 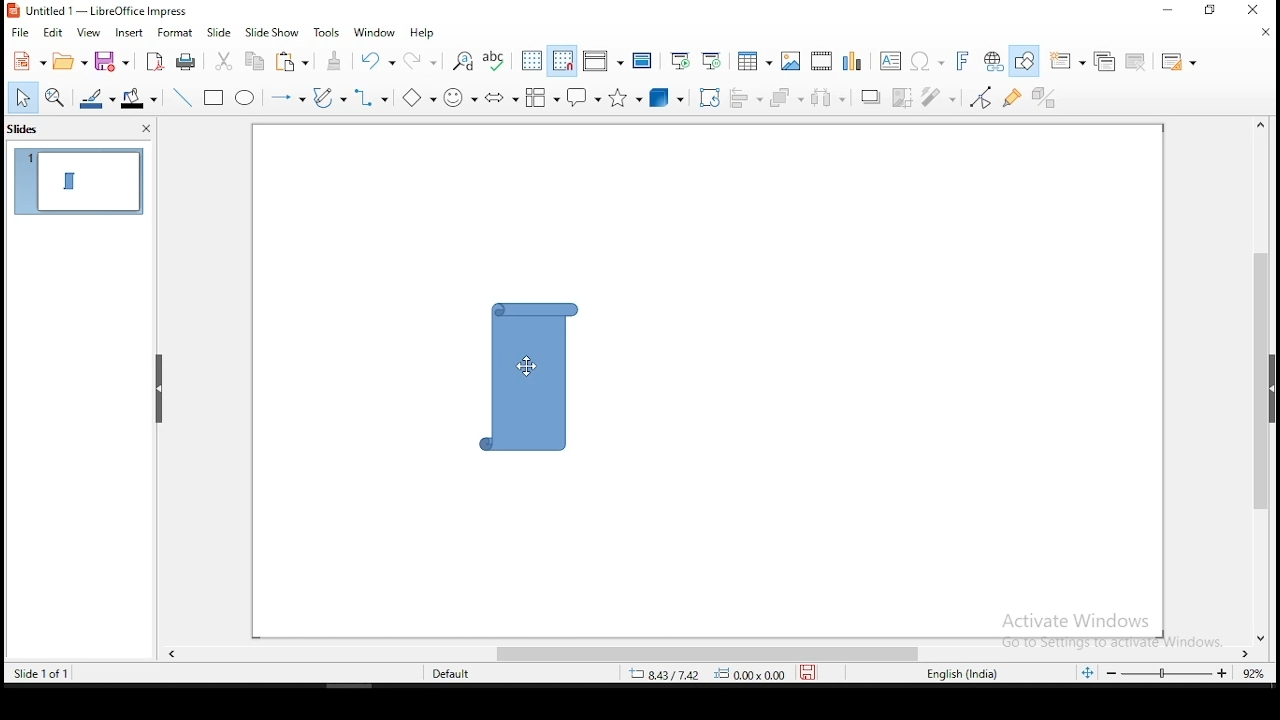 I want to click on text box, so click(x=890, y=60).